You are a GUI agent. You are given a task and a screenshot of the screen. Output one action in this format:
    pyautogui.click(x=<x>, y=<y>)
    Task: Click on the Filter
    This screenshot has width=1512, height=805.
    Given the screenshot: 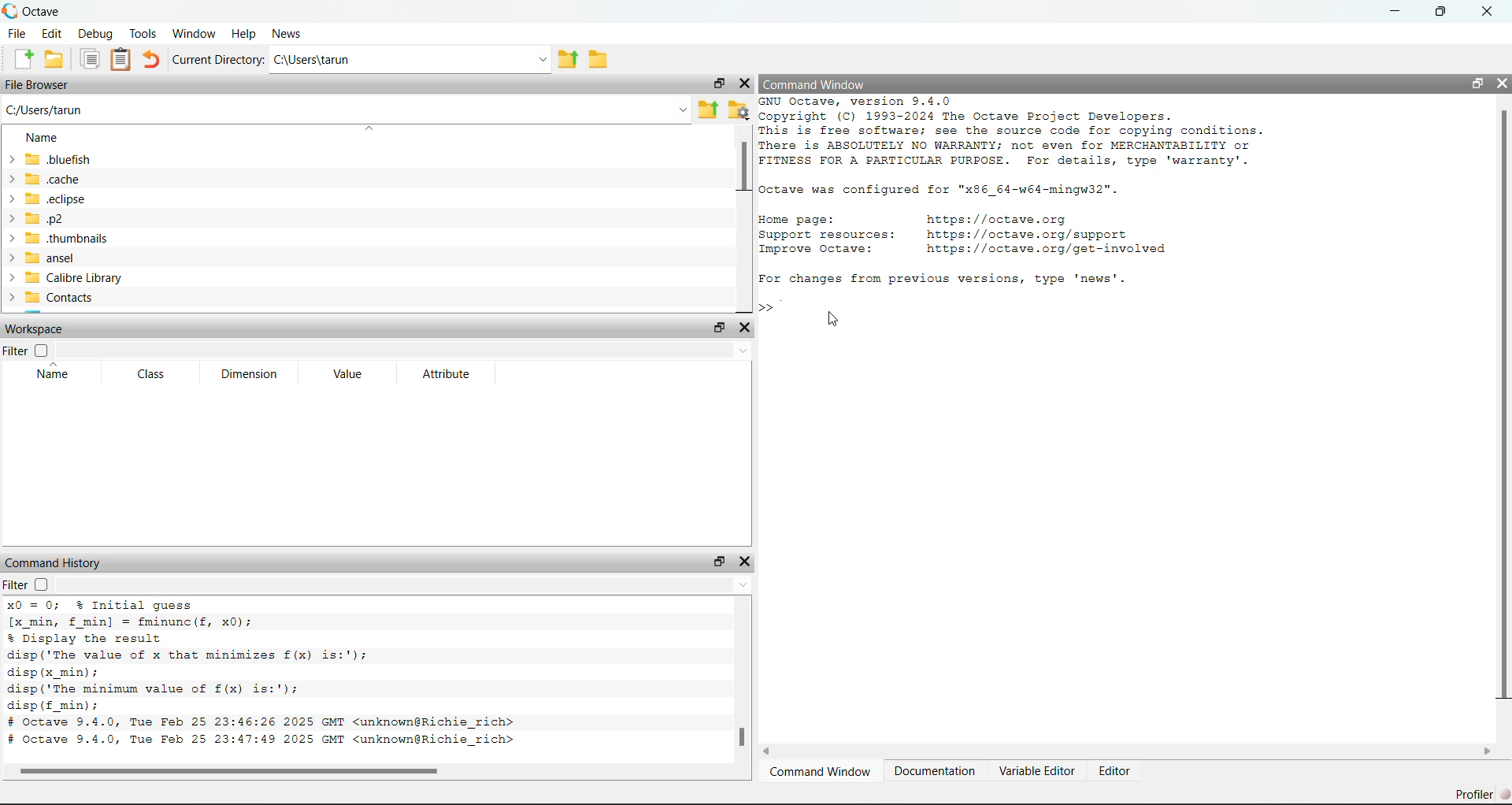 What is the action you would take?
    pyautogui.click(x=33, y=351)
    